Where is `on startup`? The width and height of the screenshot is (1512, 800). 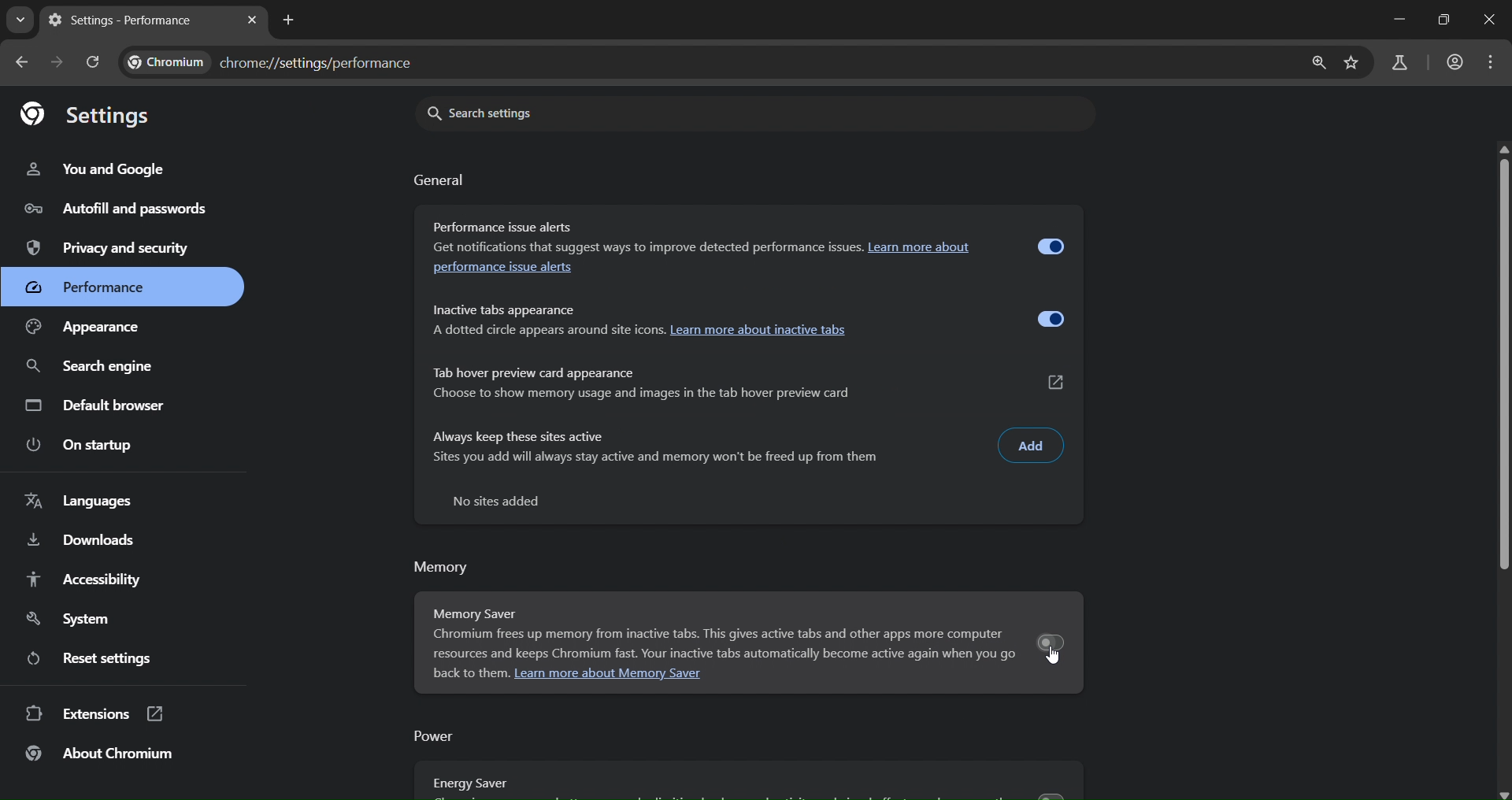 on startup is located at coordinates (81, 443).